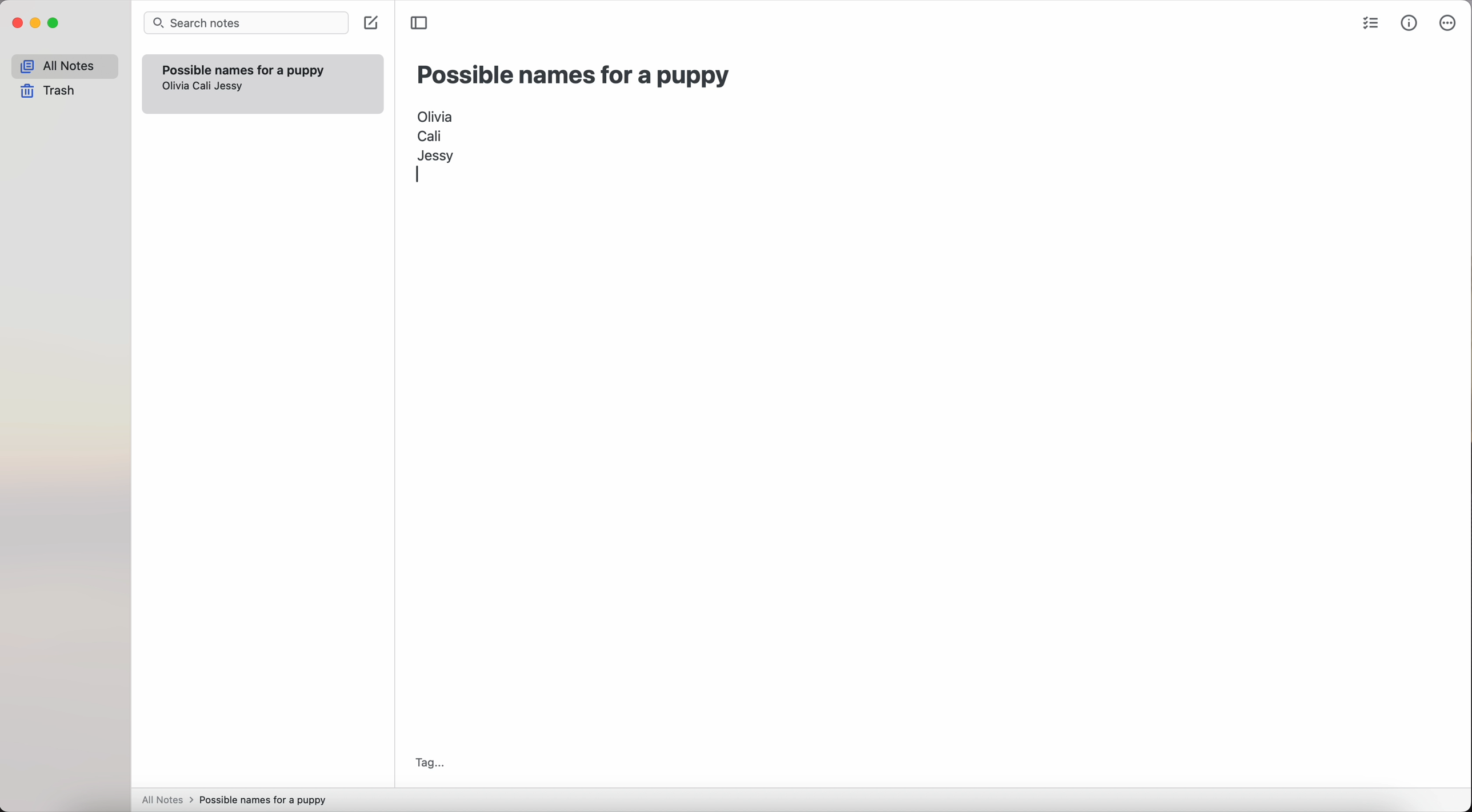  I want to click on Jessy, so click(435, 154).